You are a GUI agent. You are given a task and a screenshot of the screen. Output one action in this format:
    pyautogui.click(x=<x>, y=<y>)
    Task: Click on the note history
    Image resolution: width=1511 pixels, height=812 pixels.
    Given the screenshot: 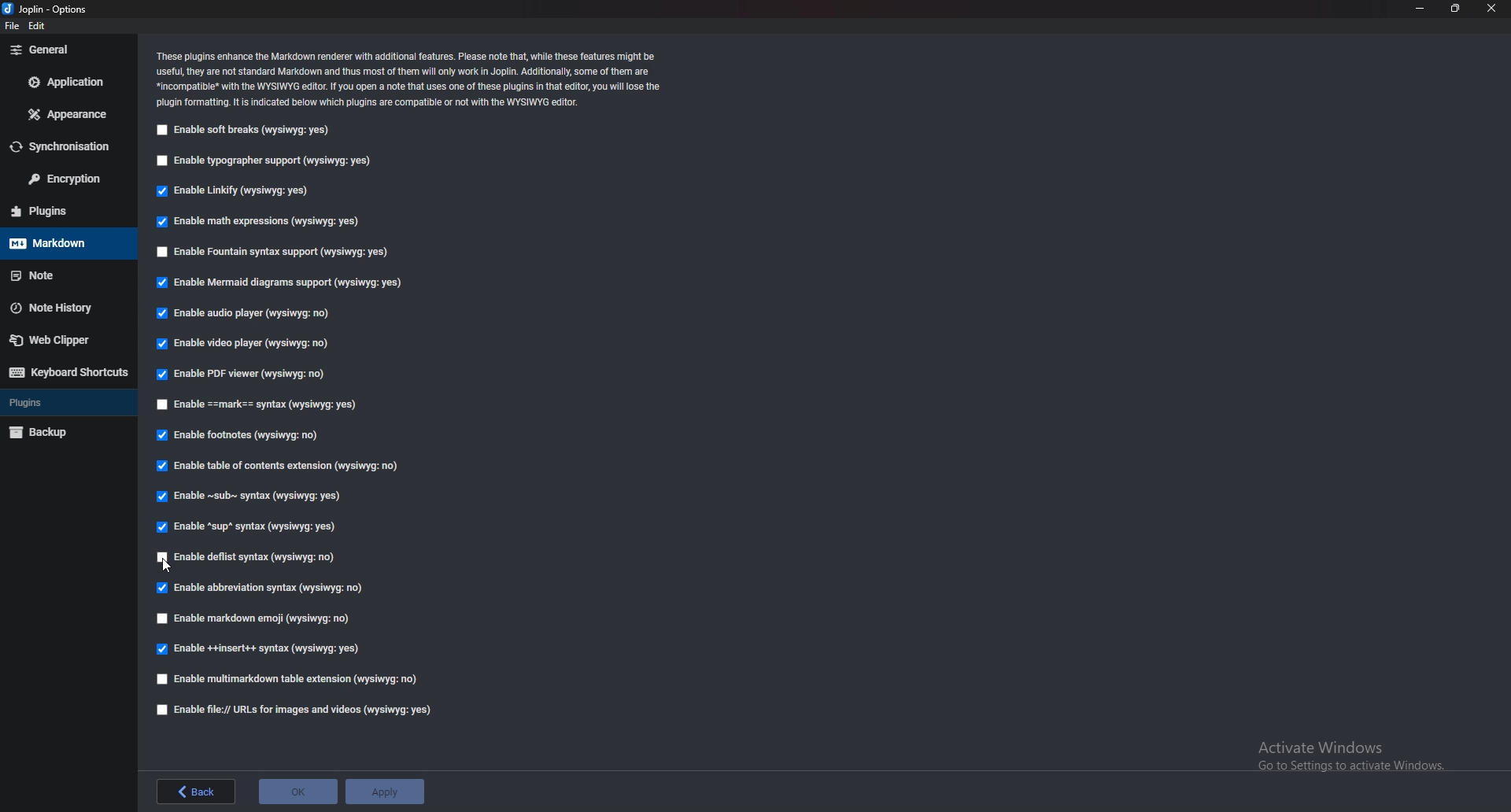 What is the action you would take?
    pyautogui.click(x=64, y=307)
    